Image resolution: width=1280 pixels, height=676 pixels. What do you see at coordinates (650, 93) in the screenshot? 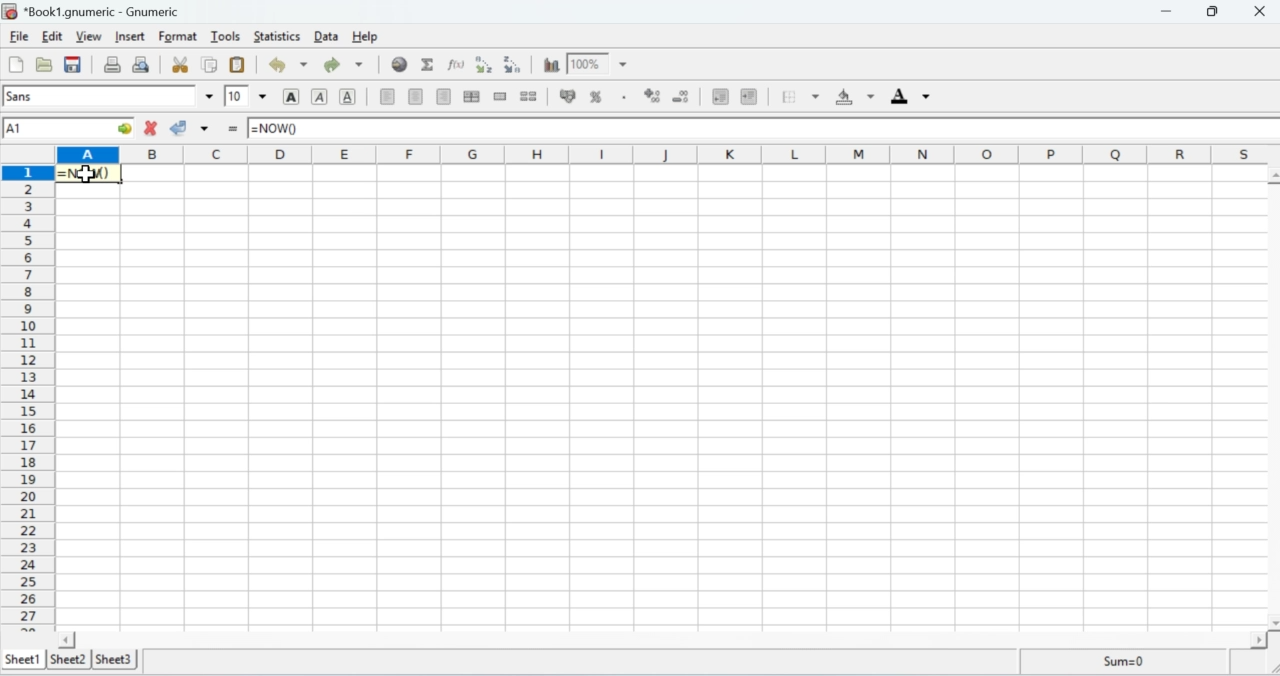
I see `Increase the number of decimals displayed` at bounding box center [650, 93].